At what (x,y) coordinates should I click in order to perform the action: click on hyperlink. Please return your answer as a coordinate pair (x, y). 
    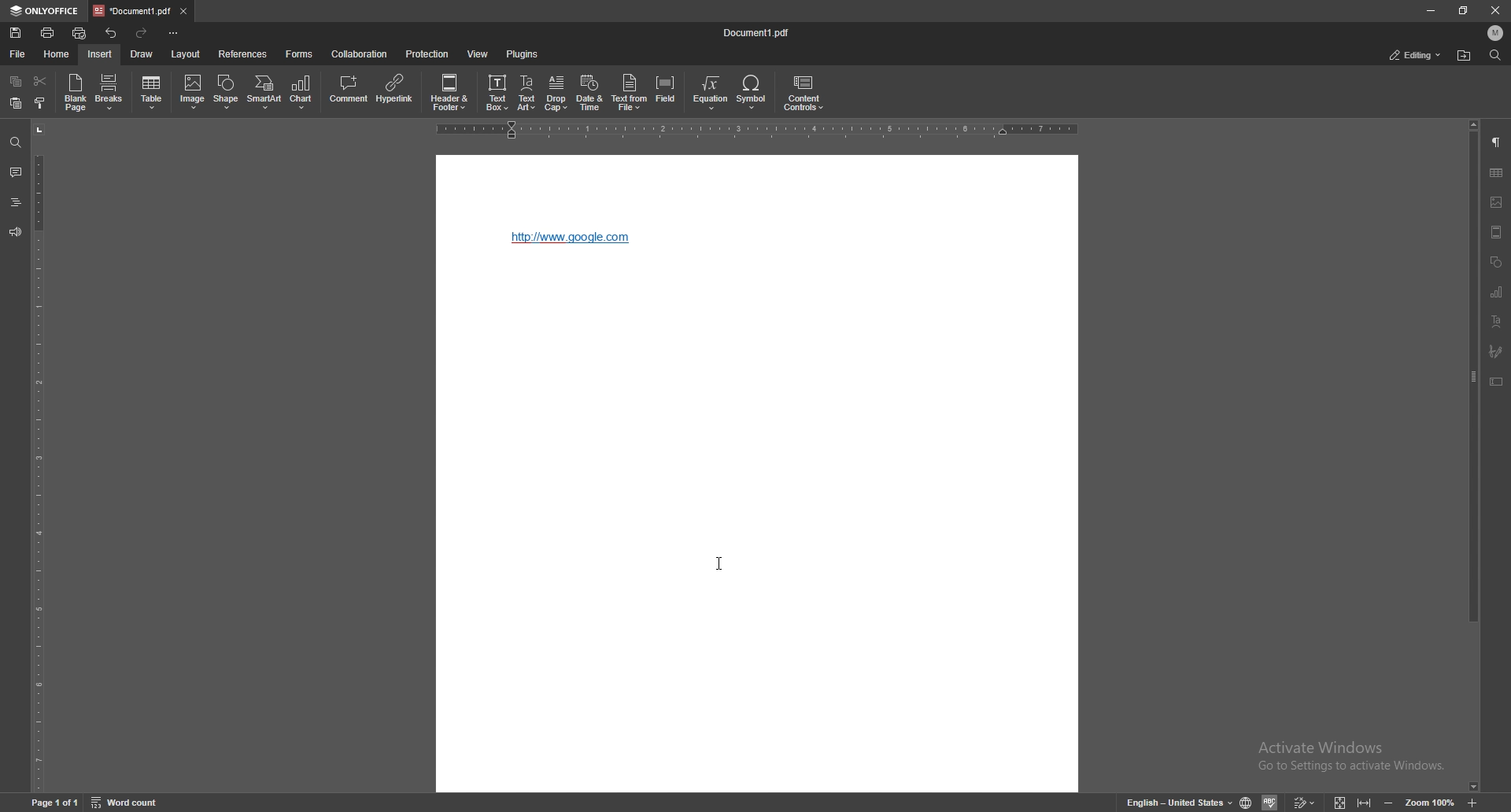
    Looking at the image, I should click on (396, 90).